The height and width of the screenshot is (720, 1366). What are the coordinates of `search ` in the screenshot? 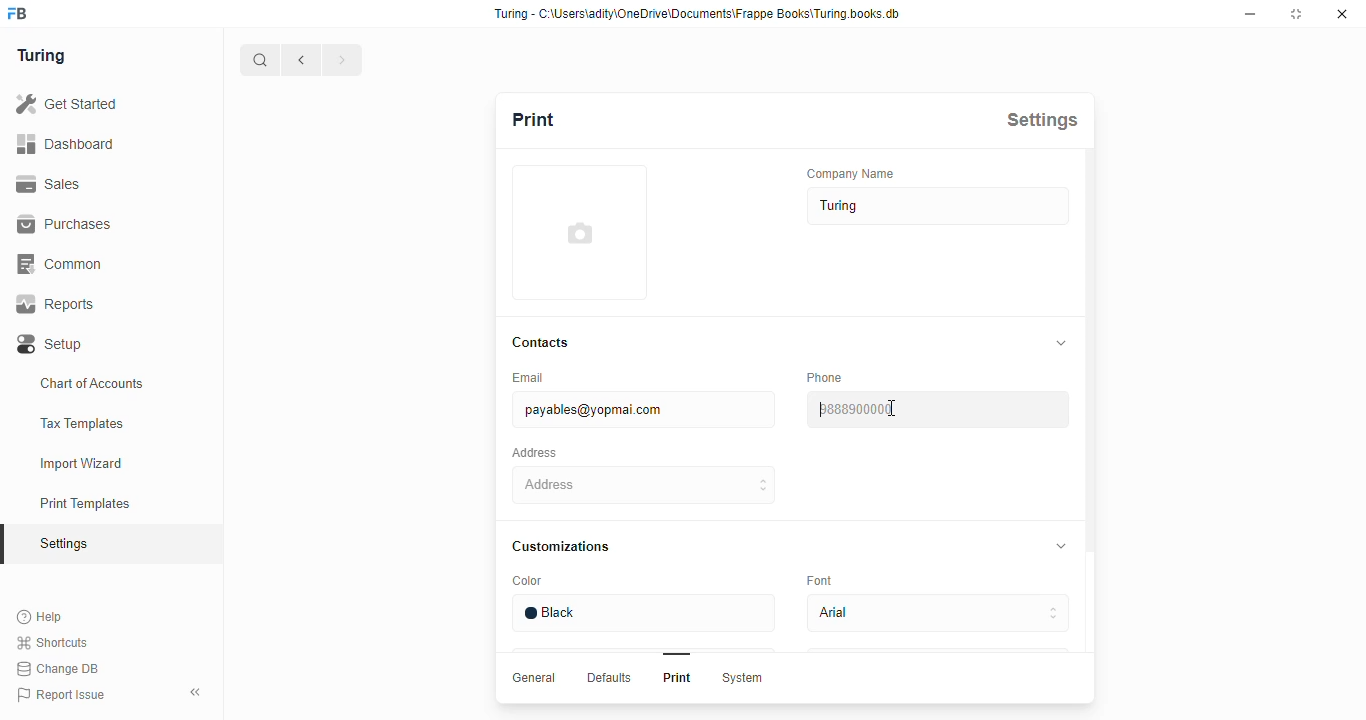 It's located at (261, 59).